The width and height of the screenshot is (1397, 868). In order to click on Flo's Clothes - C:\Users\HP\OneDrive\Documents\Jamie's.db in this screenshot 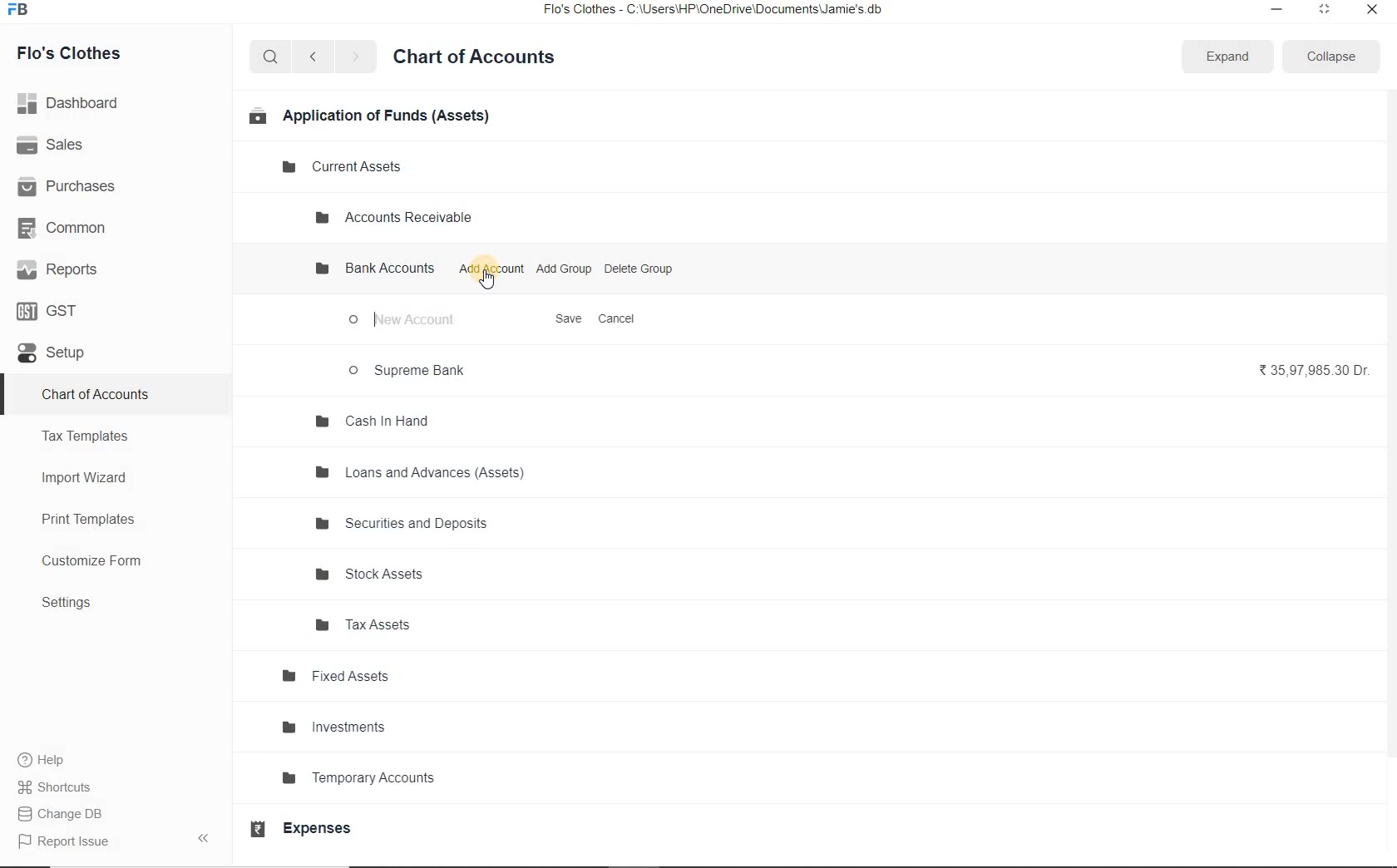, I will do `click(714, 12)`.